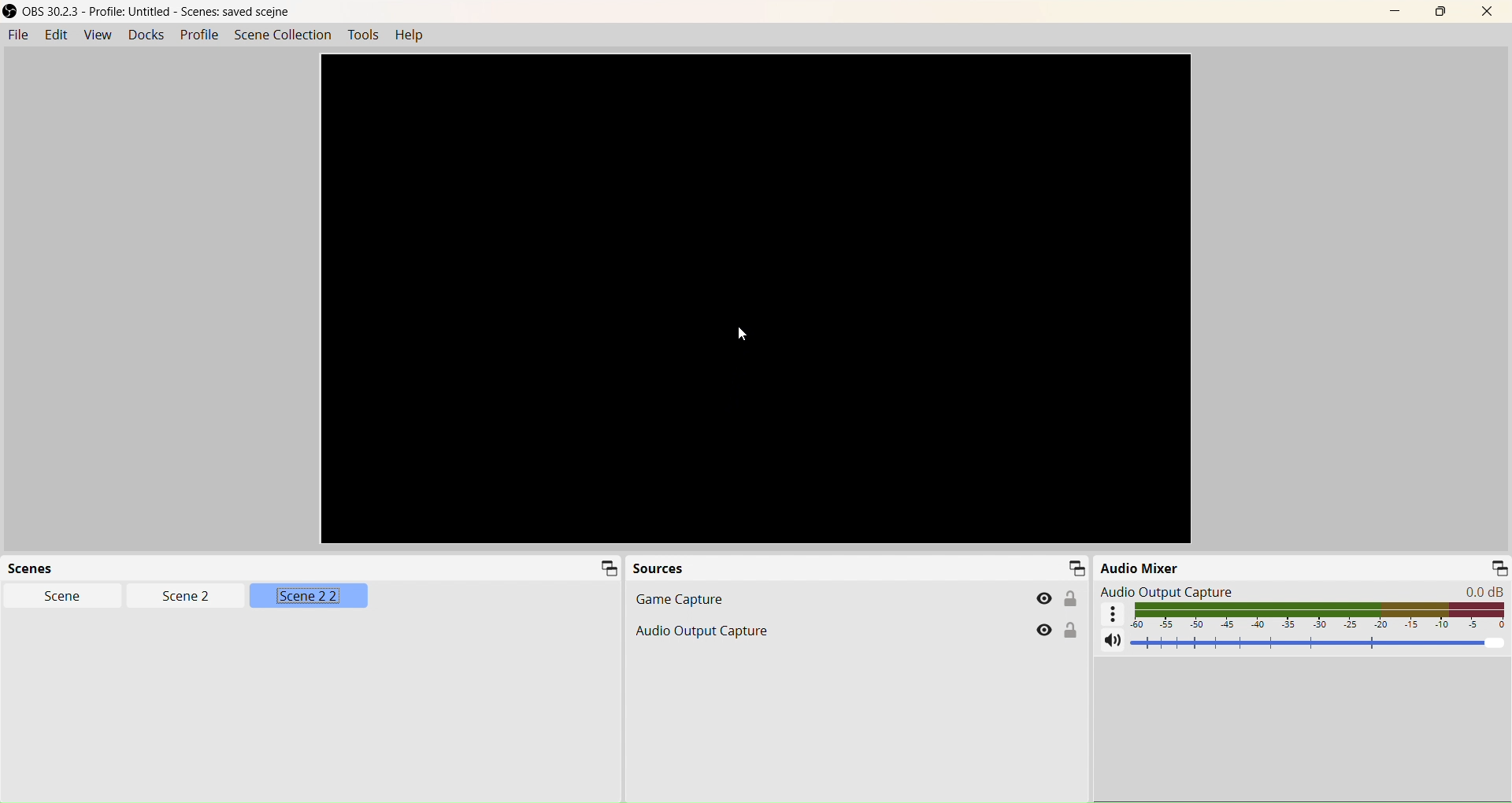 This screenshot has height=803, width=1512. I want to click on Volume Adjuster, so click(1321, 642).